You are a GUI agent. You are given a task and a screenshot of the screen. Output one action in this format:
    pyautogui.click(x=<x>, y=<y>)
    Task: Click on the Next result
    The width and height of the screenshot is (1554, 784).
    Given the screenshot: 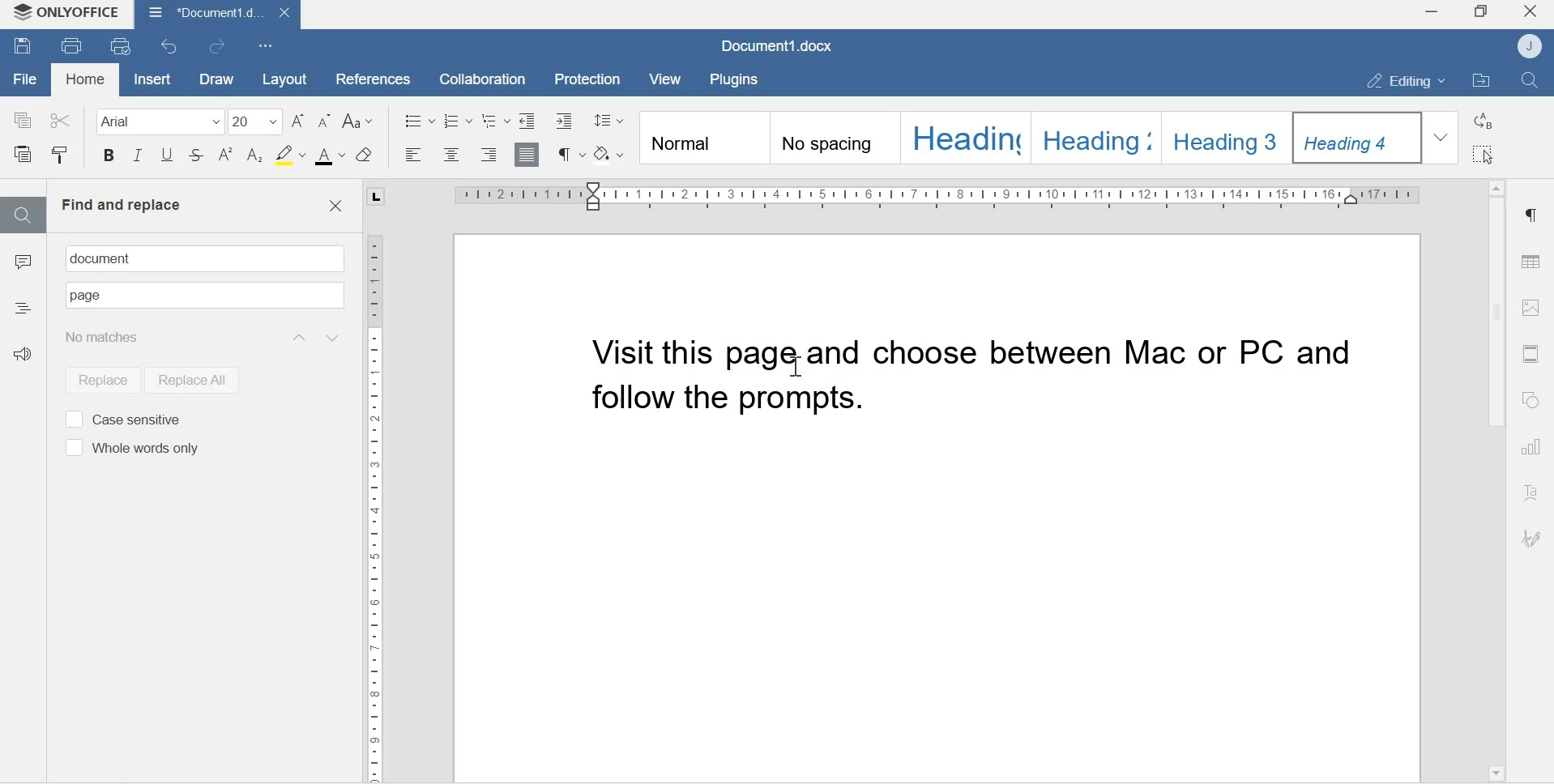 What is the action you would take?
    pyautogui.click(x=335, y=337)
    